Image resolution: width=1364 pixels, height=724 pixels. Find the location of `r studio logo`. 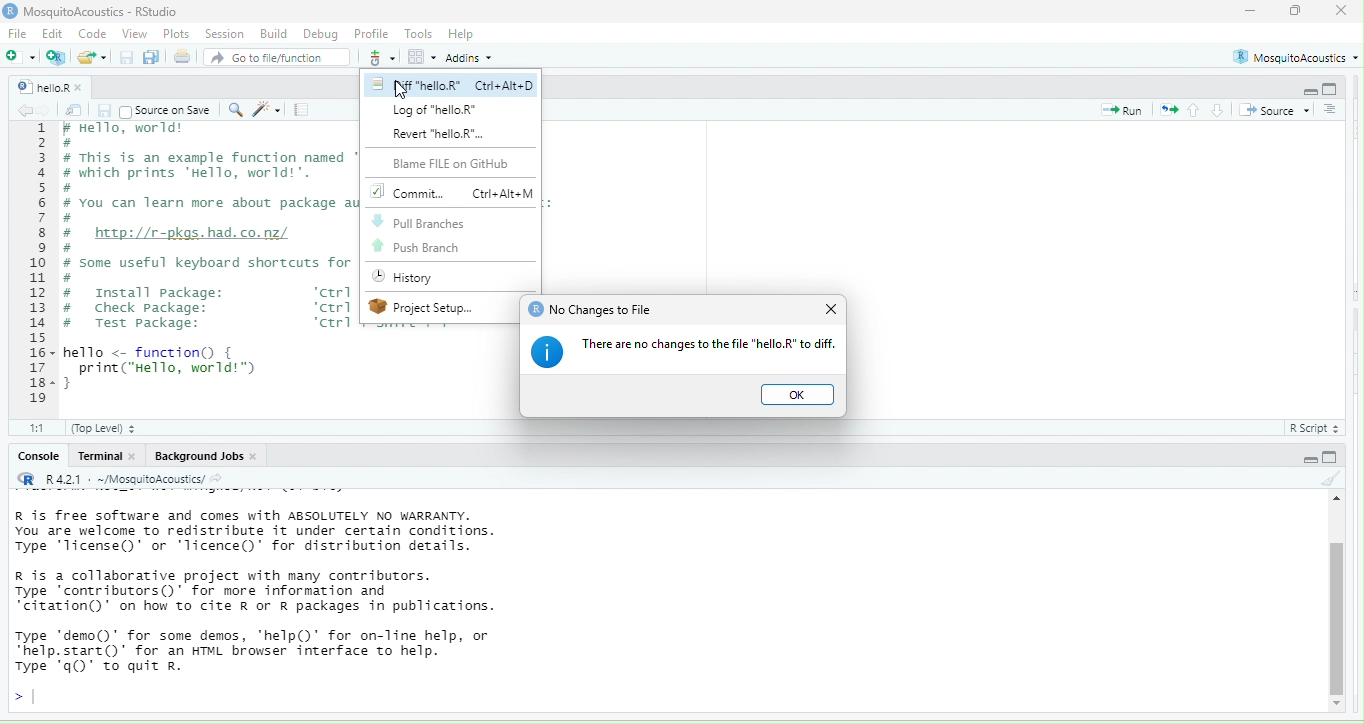

r studio logo is located at coordinates (11, 12).